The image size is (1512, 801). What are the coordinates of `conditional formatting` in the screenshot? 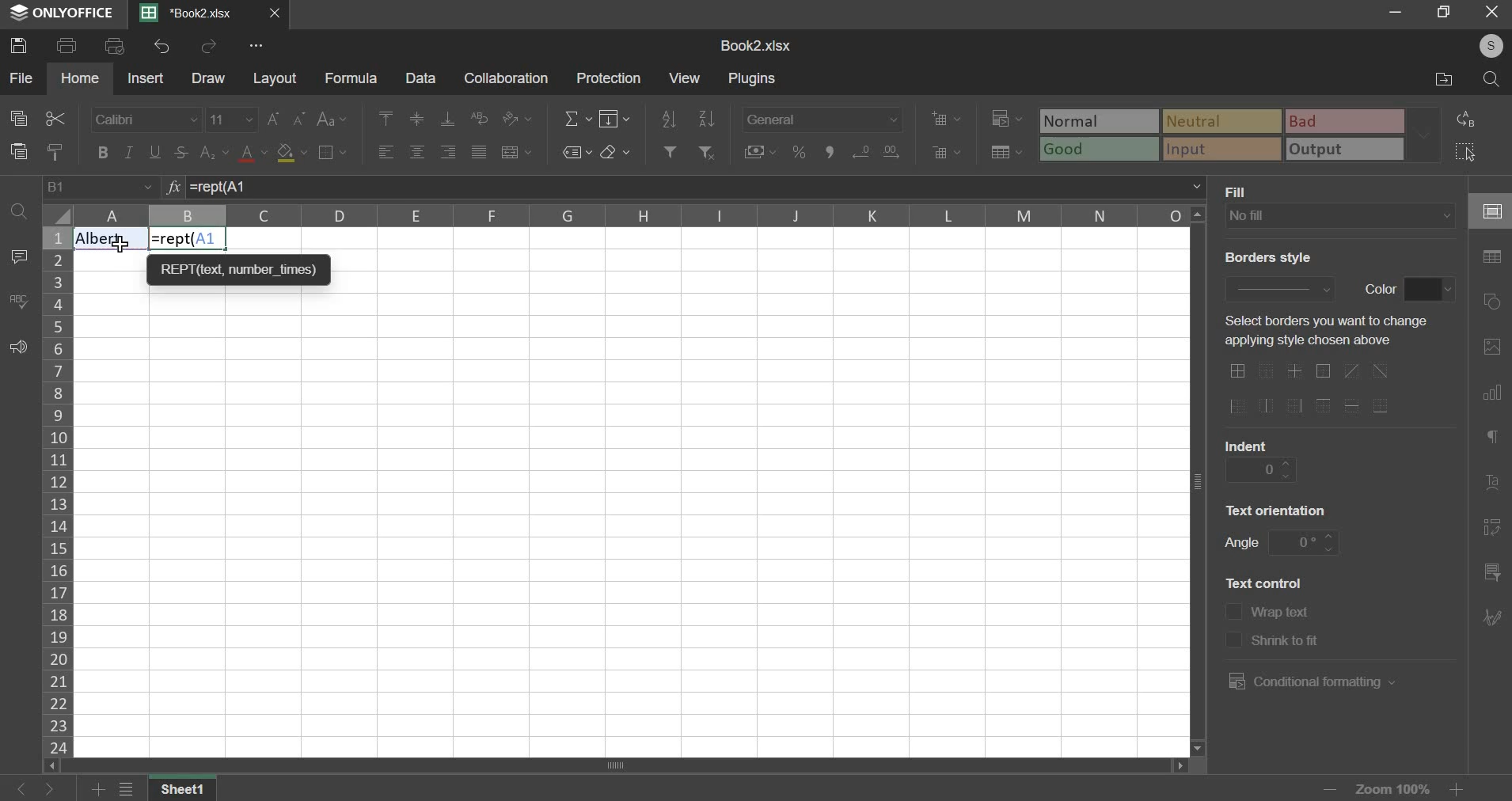 It's located at (1006, 116).